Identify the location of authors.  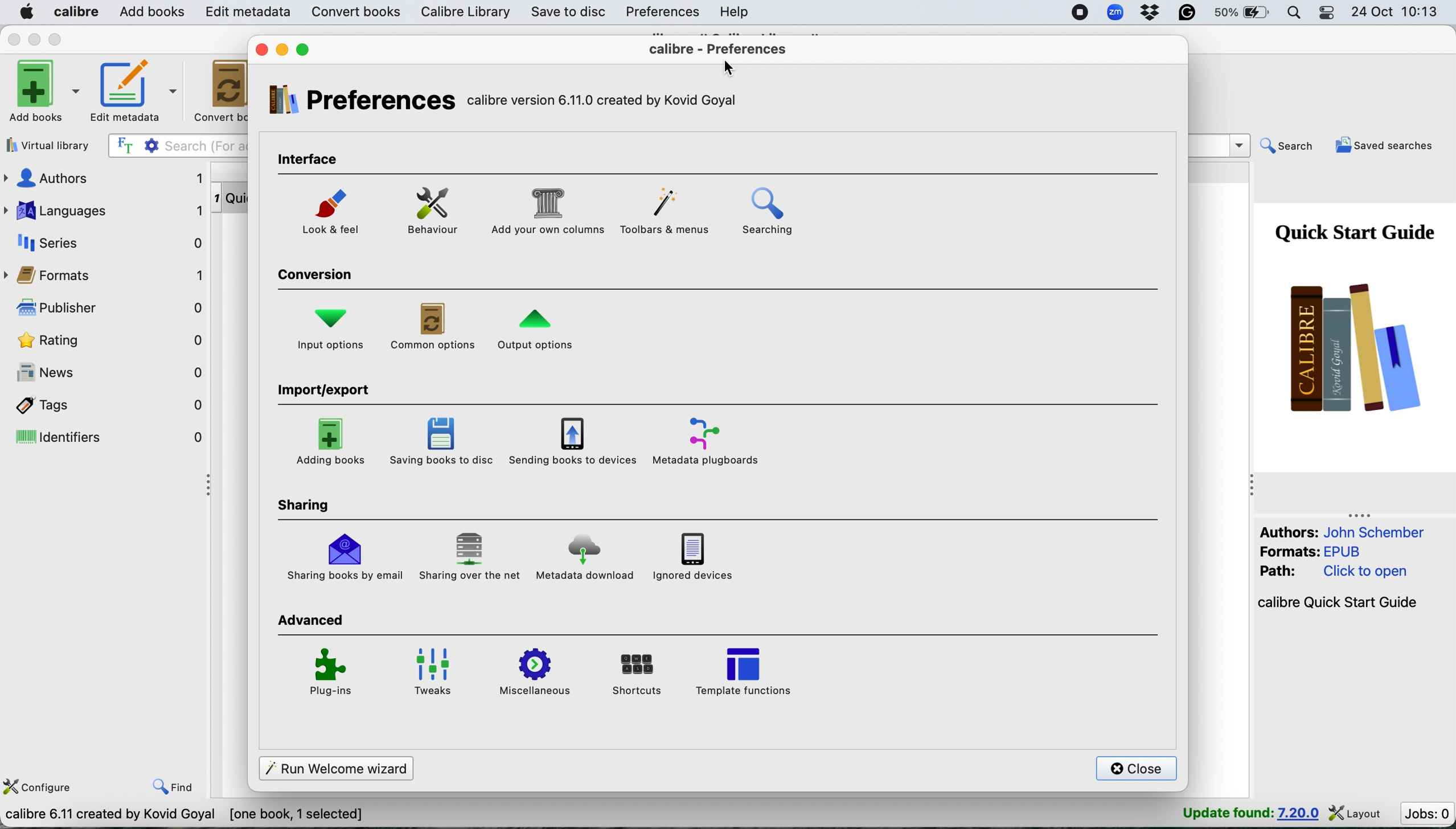
(103, 178).